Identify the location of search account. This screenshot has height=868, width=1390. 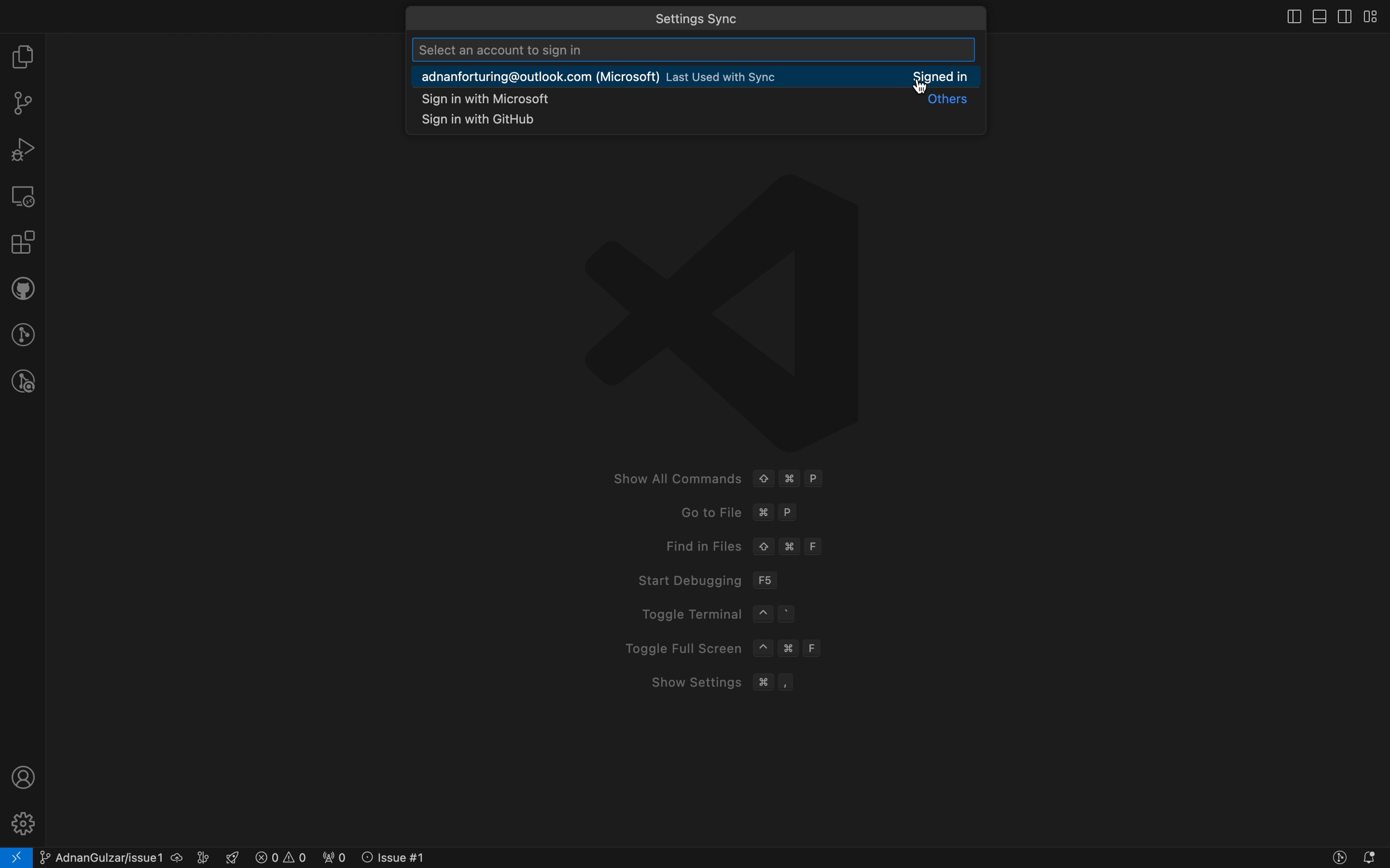
(691, 49).